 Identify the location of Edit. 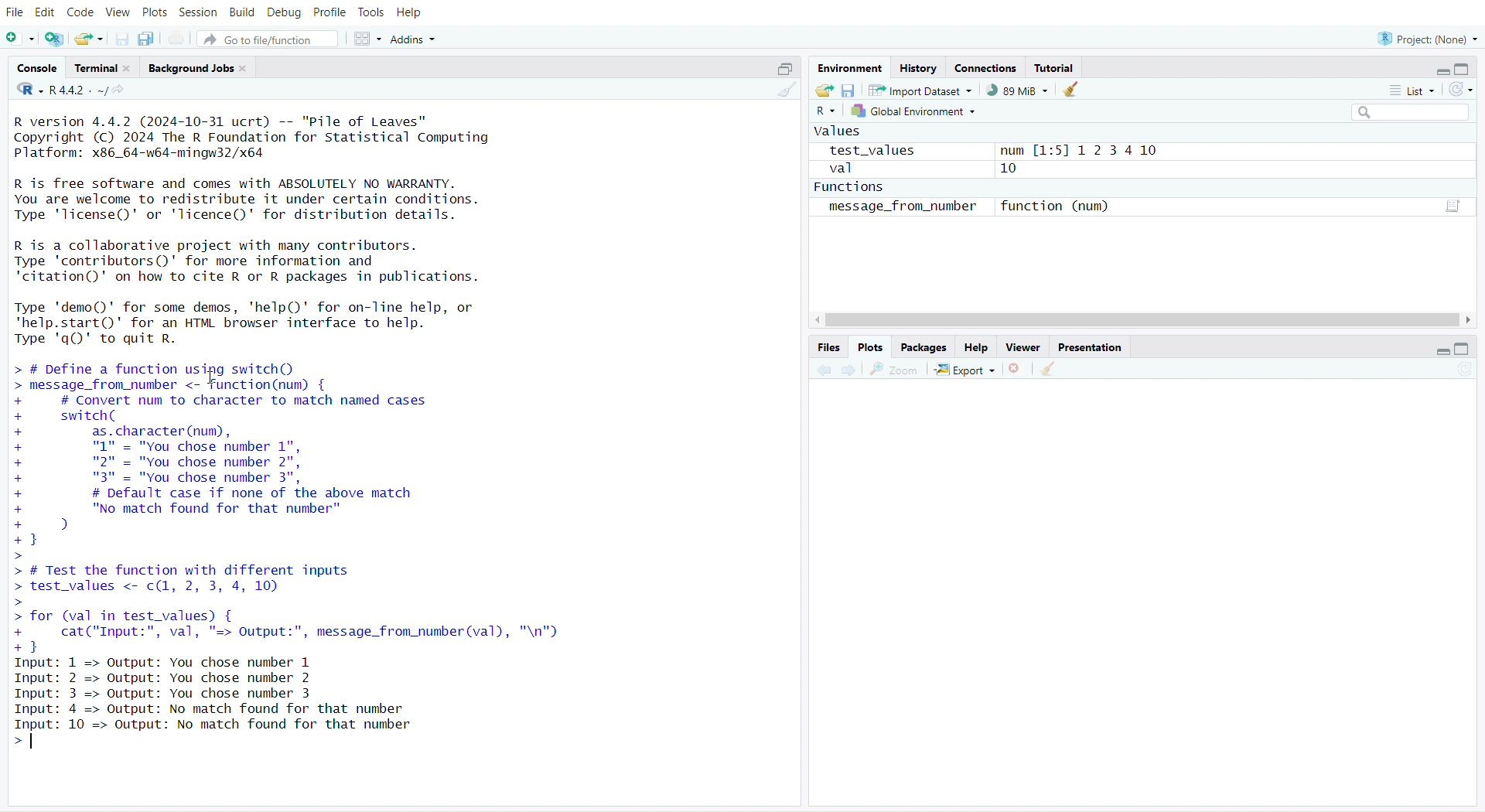
(44, 13).